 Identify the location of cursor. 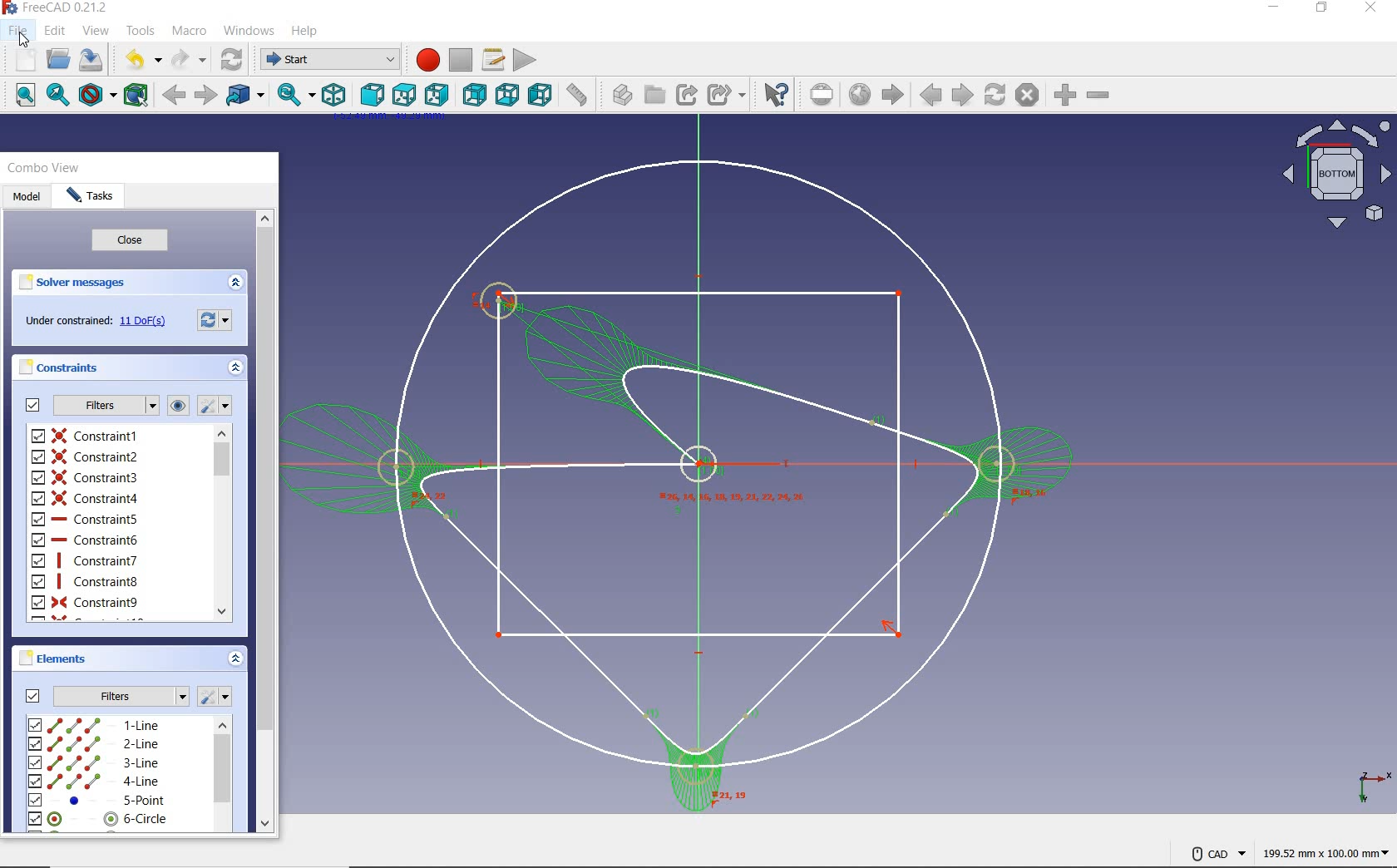
(22, 38).